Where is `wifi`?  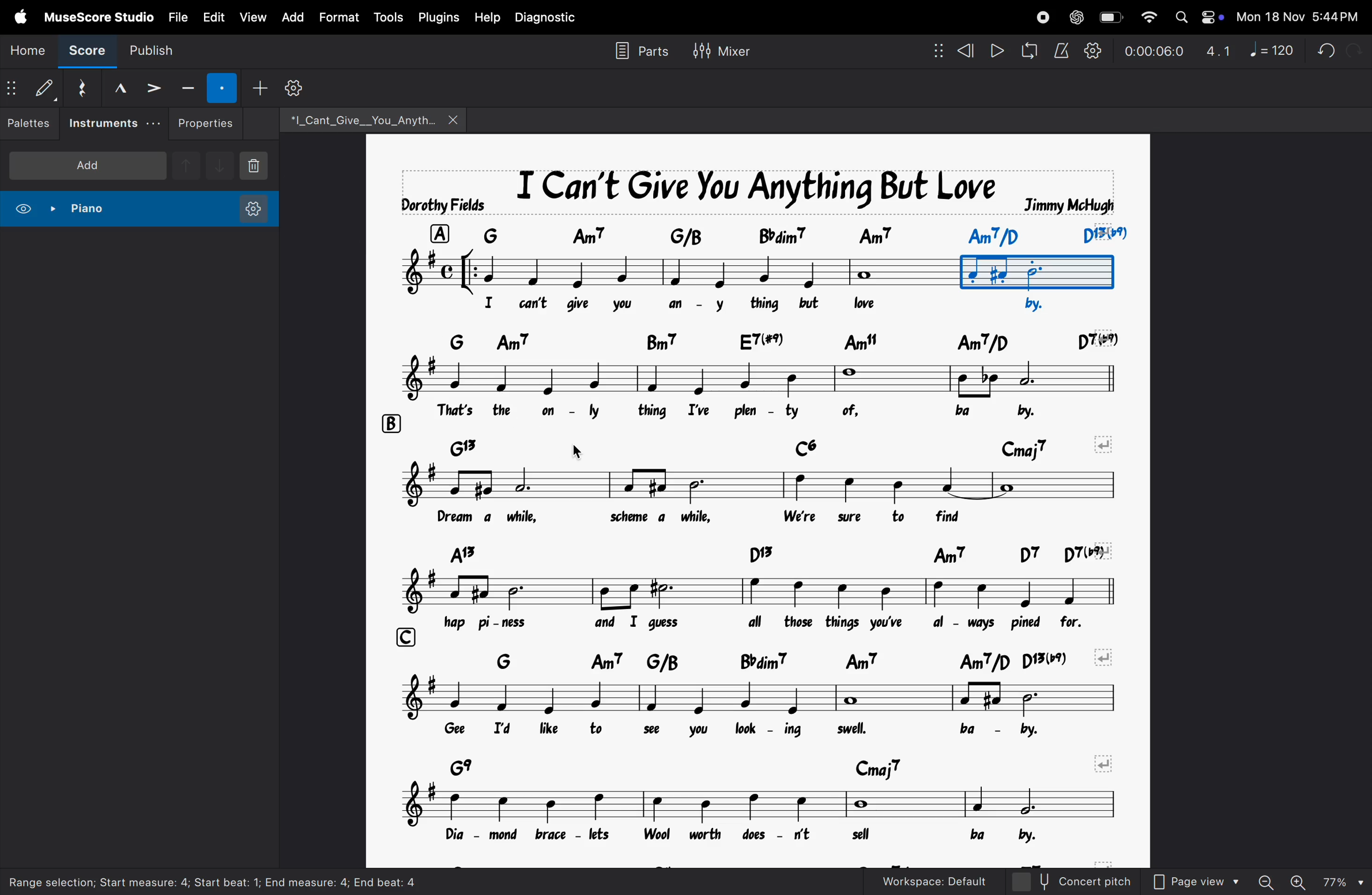 wifi is located at coordinates (1147, 18).